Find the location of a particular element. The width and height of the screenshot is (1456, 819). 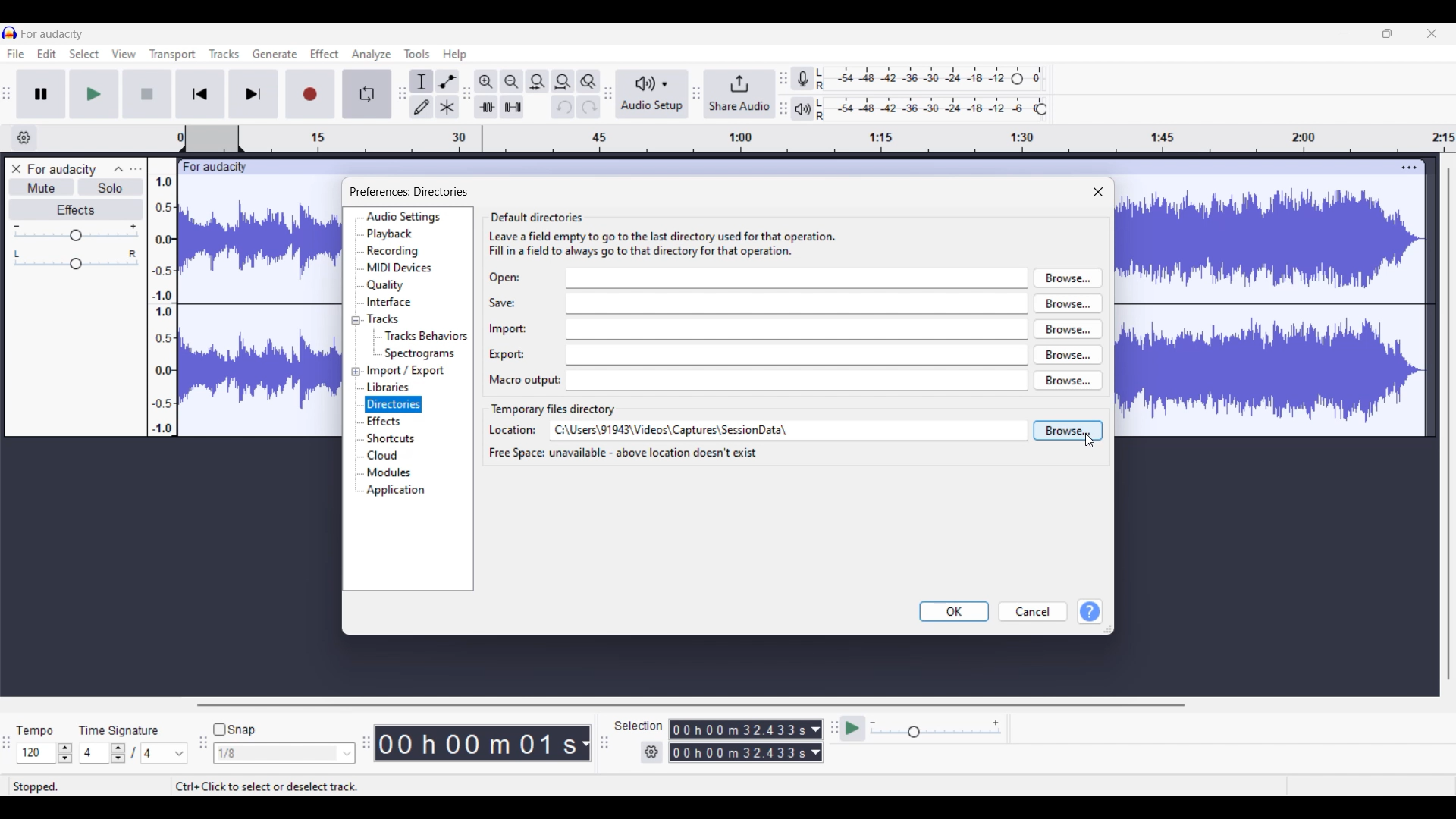

Indicates text box for save is located at coordinates (503, 303).